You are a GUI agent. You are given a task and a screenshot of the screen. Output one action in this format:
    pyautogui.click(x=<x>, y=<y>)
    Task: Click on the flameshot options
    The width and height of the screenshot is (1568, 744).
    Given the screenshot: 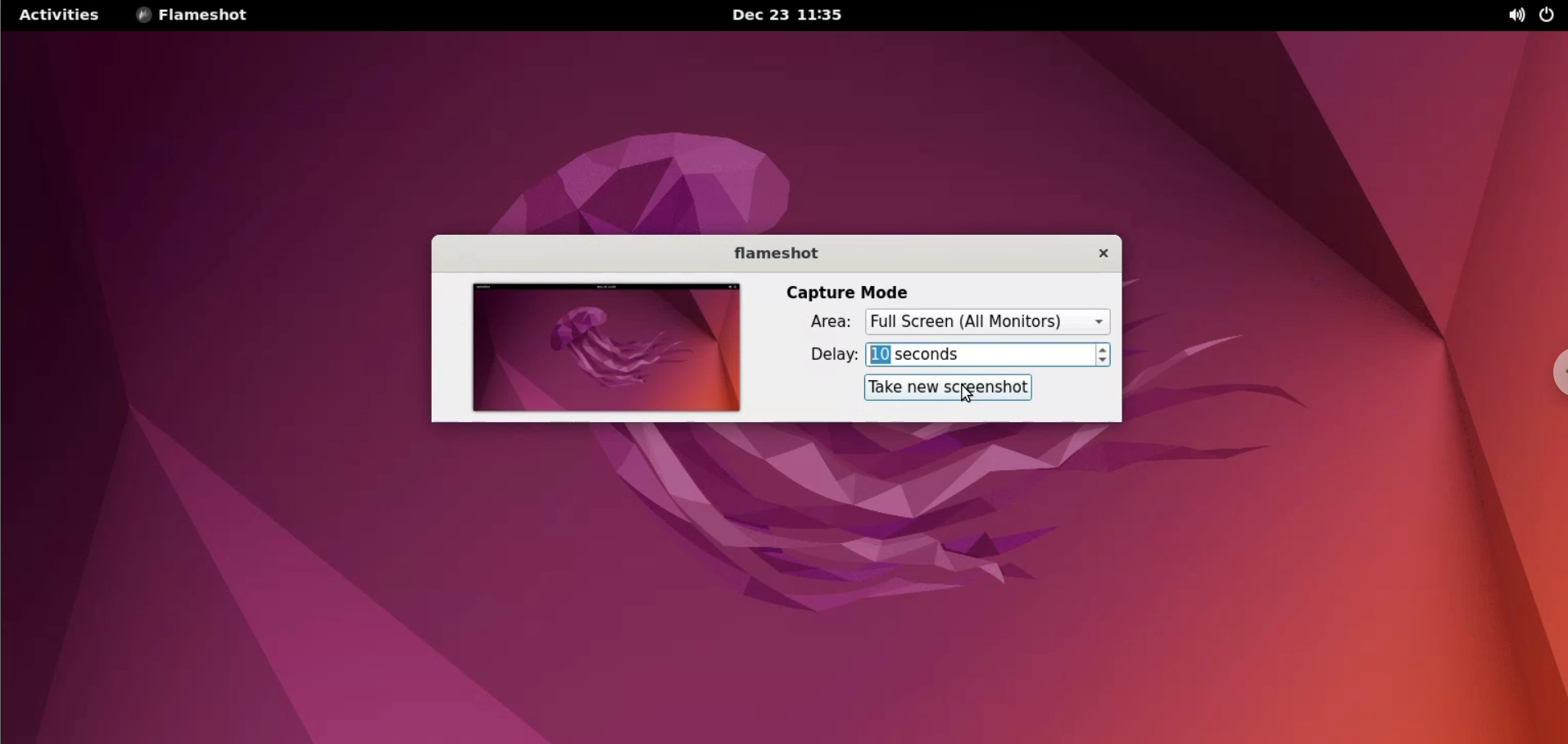 What is the action you would take?
    pyautogui.click(x=202, y=17)
    